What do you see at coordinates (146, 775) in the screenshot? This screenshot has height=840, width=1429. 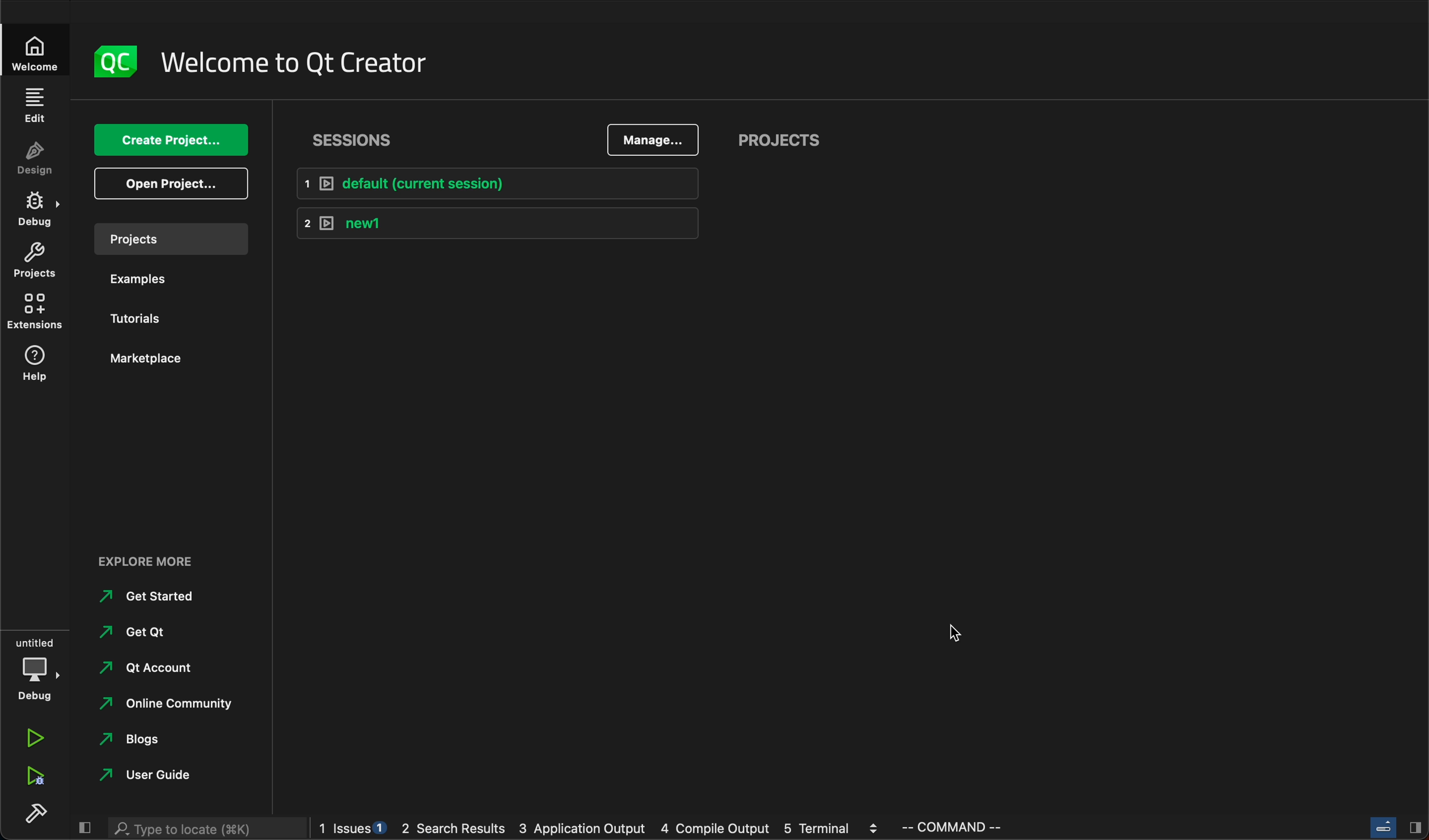 I see `guide` at bounding box center [146, 775].